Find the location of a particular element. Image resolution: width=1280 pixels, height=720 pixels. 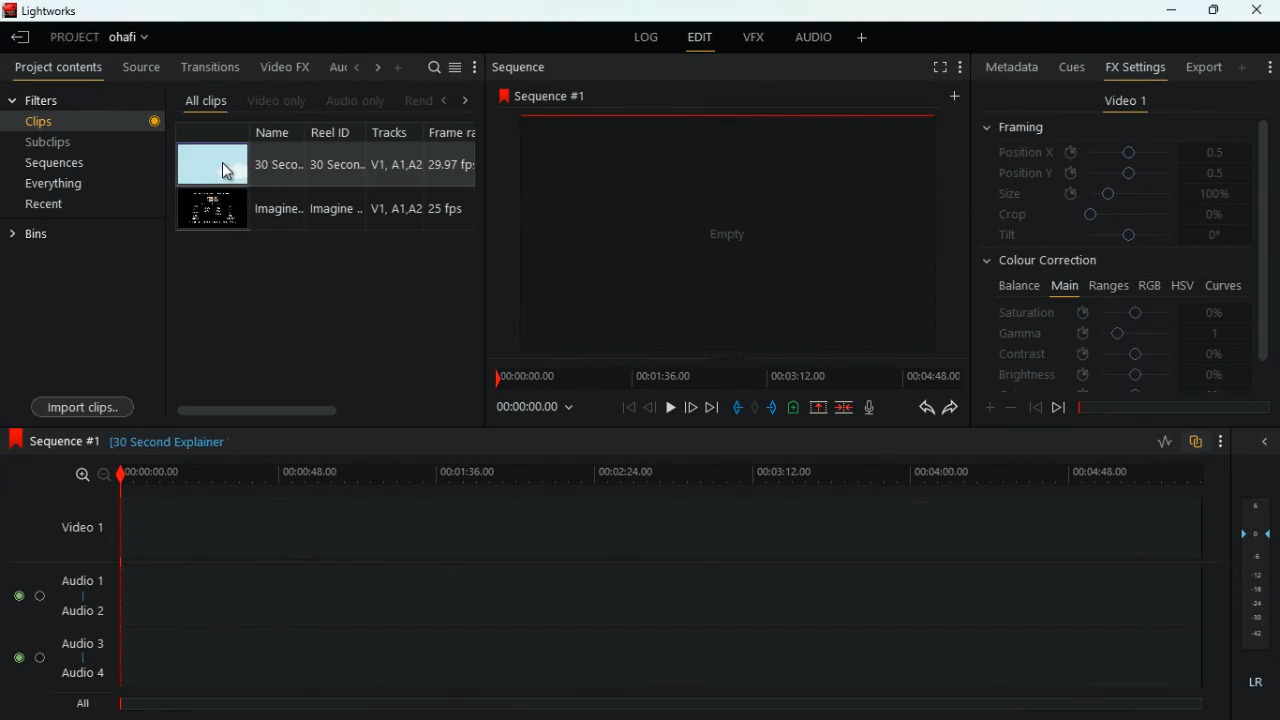

frame is located at coordinates (457, 131).